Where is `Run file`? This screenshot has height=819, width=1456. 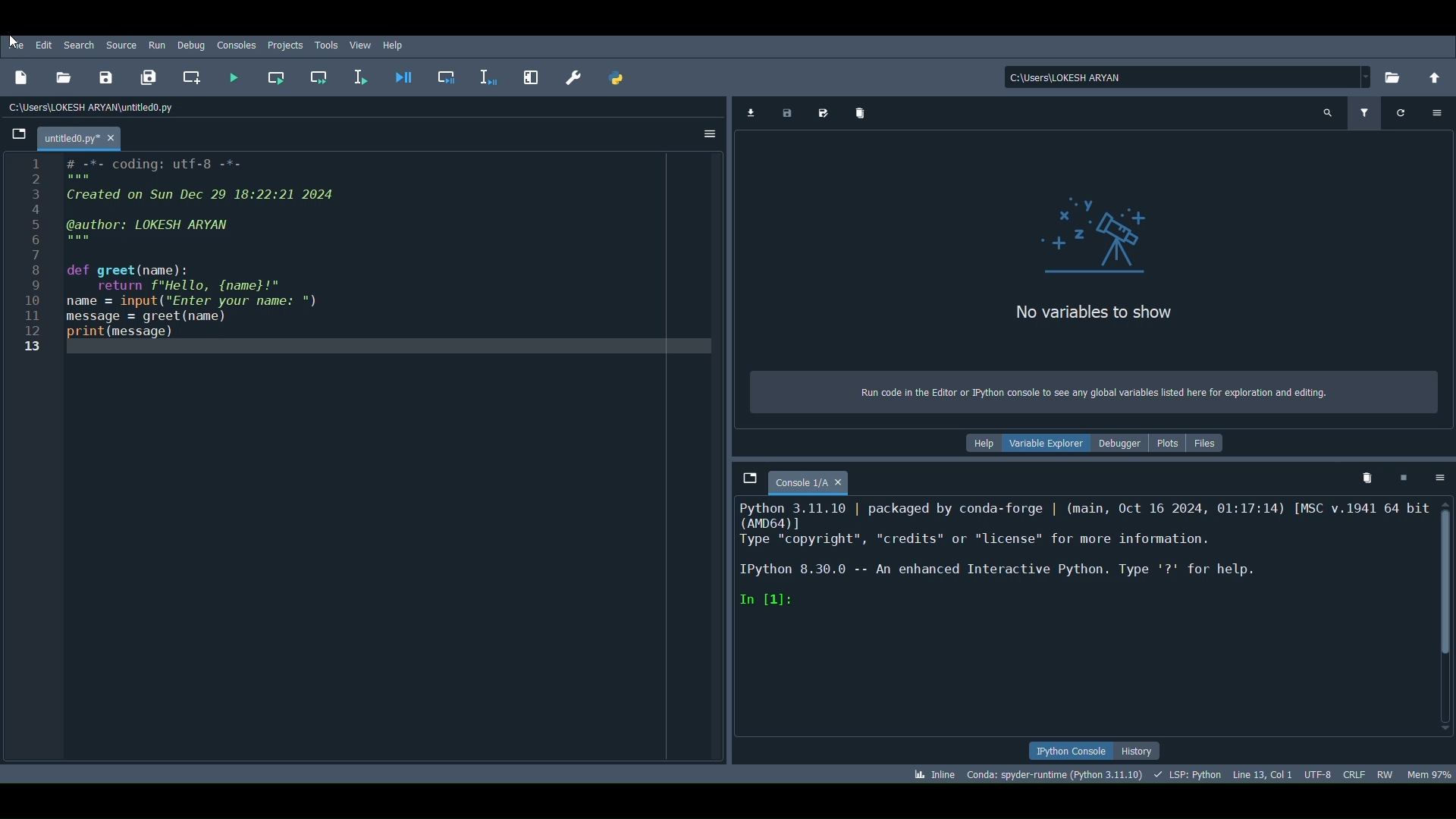 Run file is located at coordinates (234, 76).